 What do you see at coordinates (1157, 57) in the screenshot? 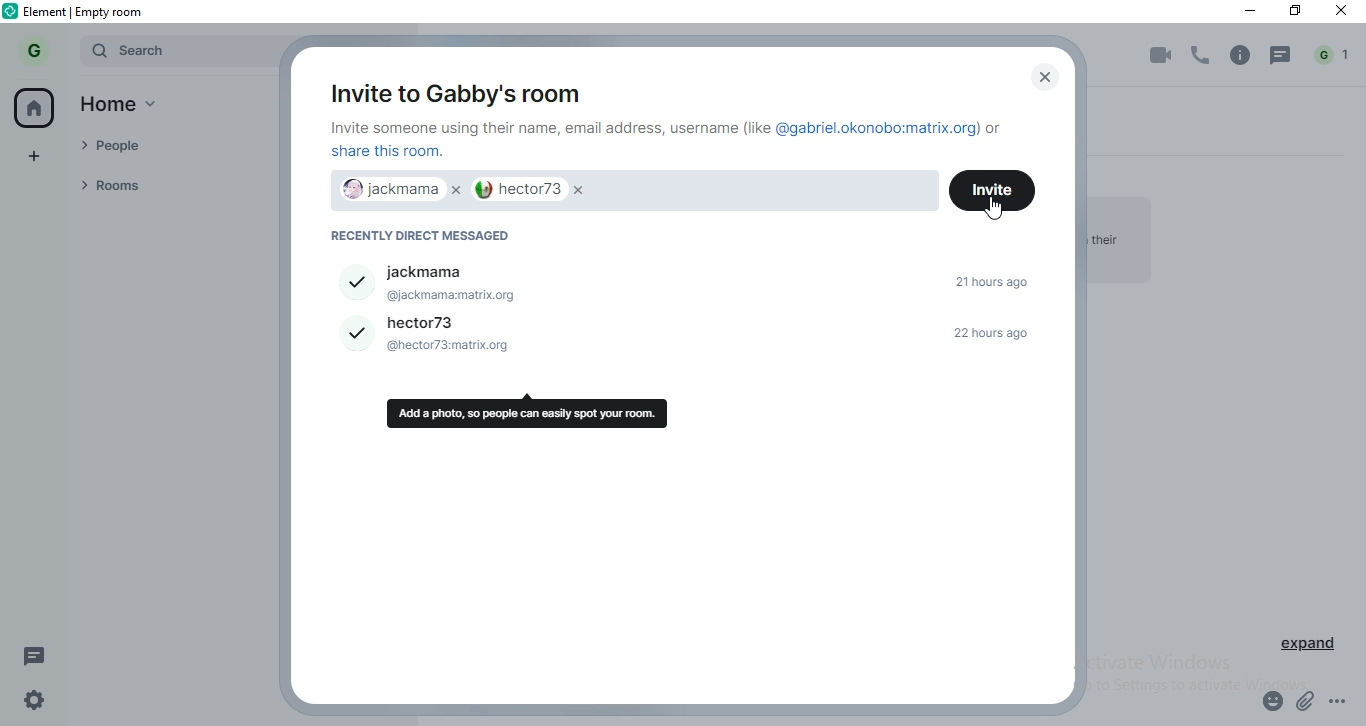
I see `video call` at bounding box center [1157, 57].